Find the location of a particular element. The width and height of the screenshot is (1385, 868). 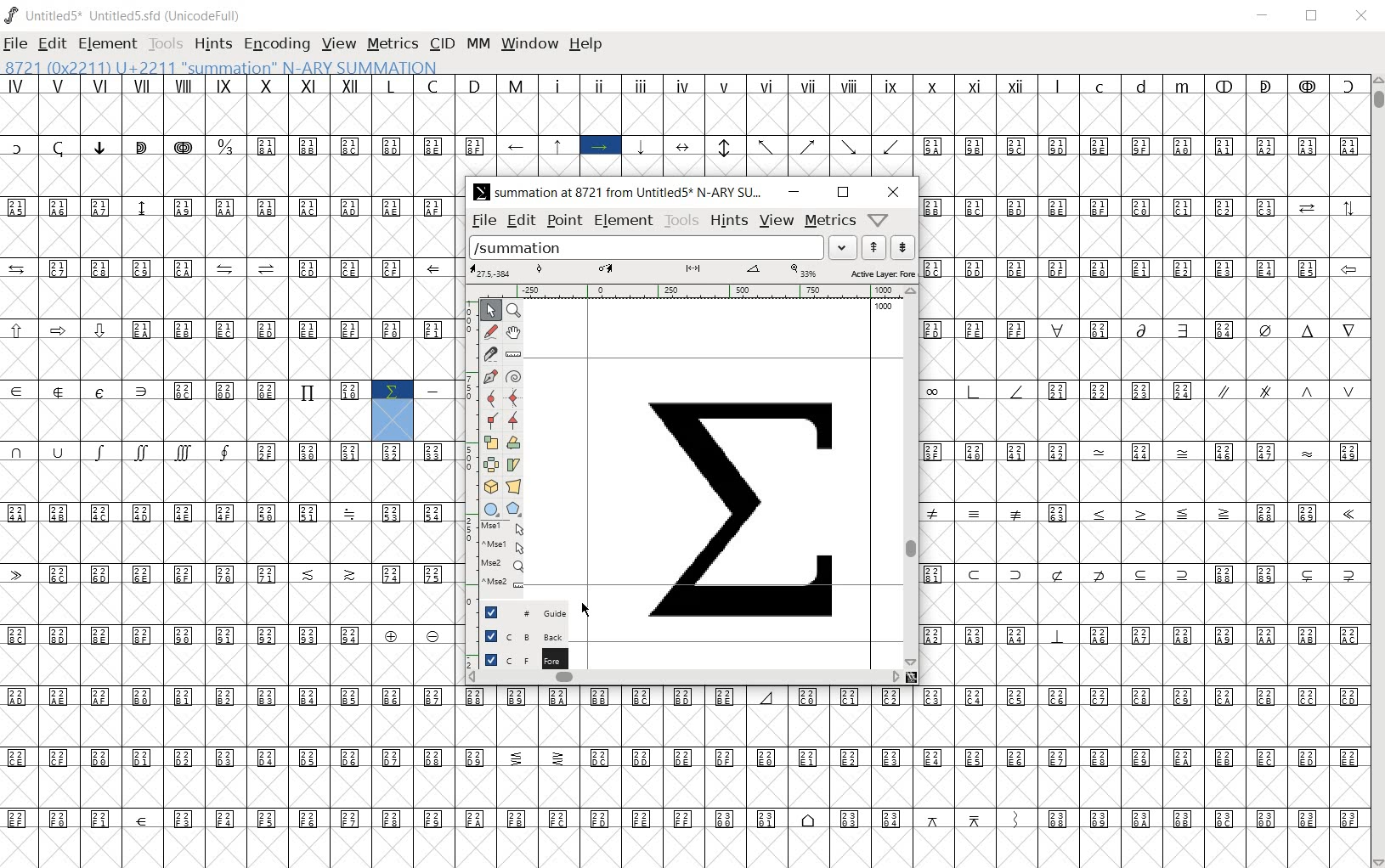

Help/Window is located at coordinates (881, 219).